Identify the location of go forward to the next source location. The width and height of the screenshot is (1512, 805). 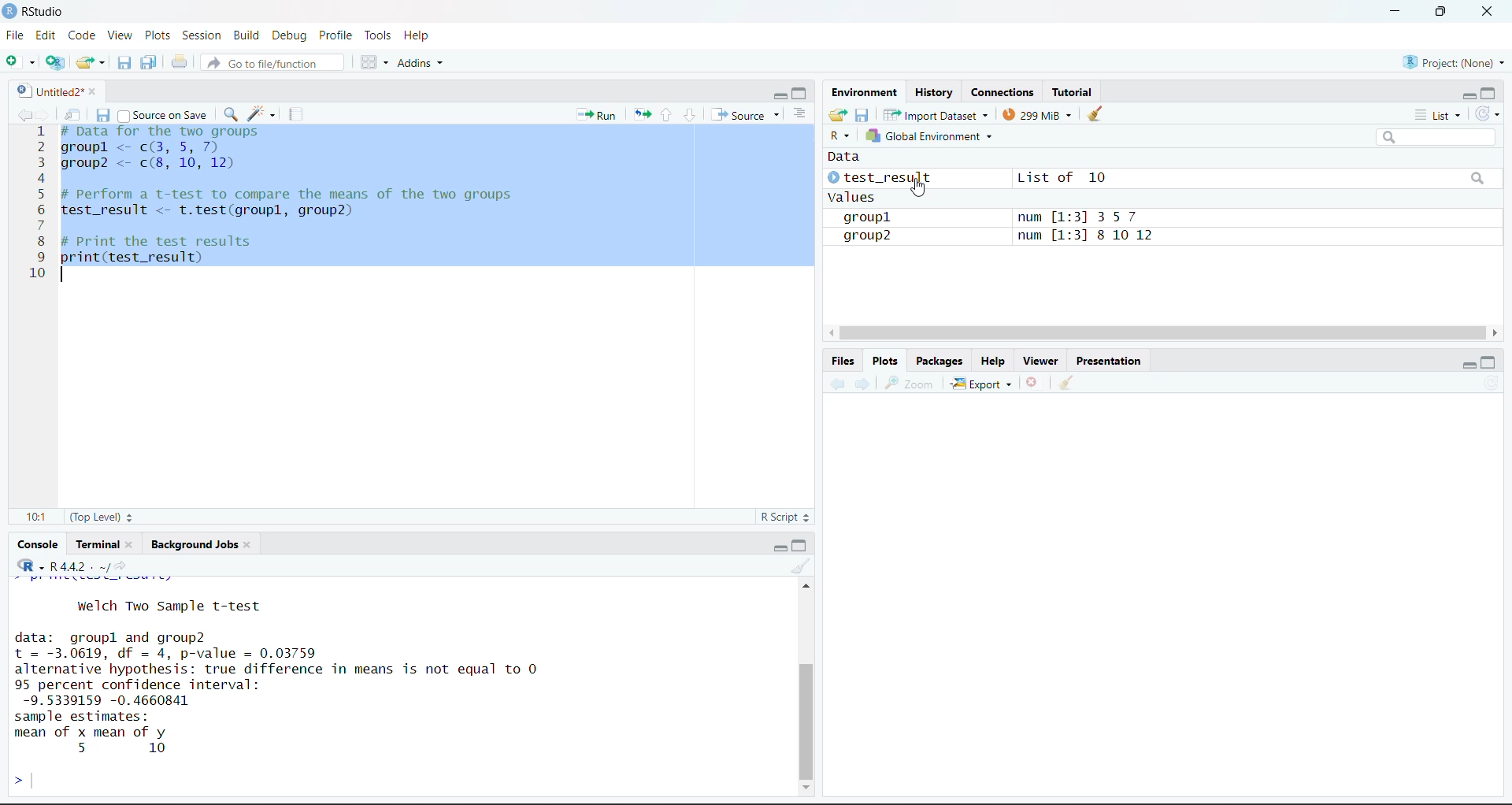
(46, 114).